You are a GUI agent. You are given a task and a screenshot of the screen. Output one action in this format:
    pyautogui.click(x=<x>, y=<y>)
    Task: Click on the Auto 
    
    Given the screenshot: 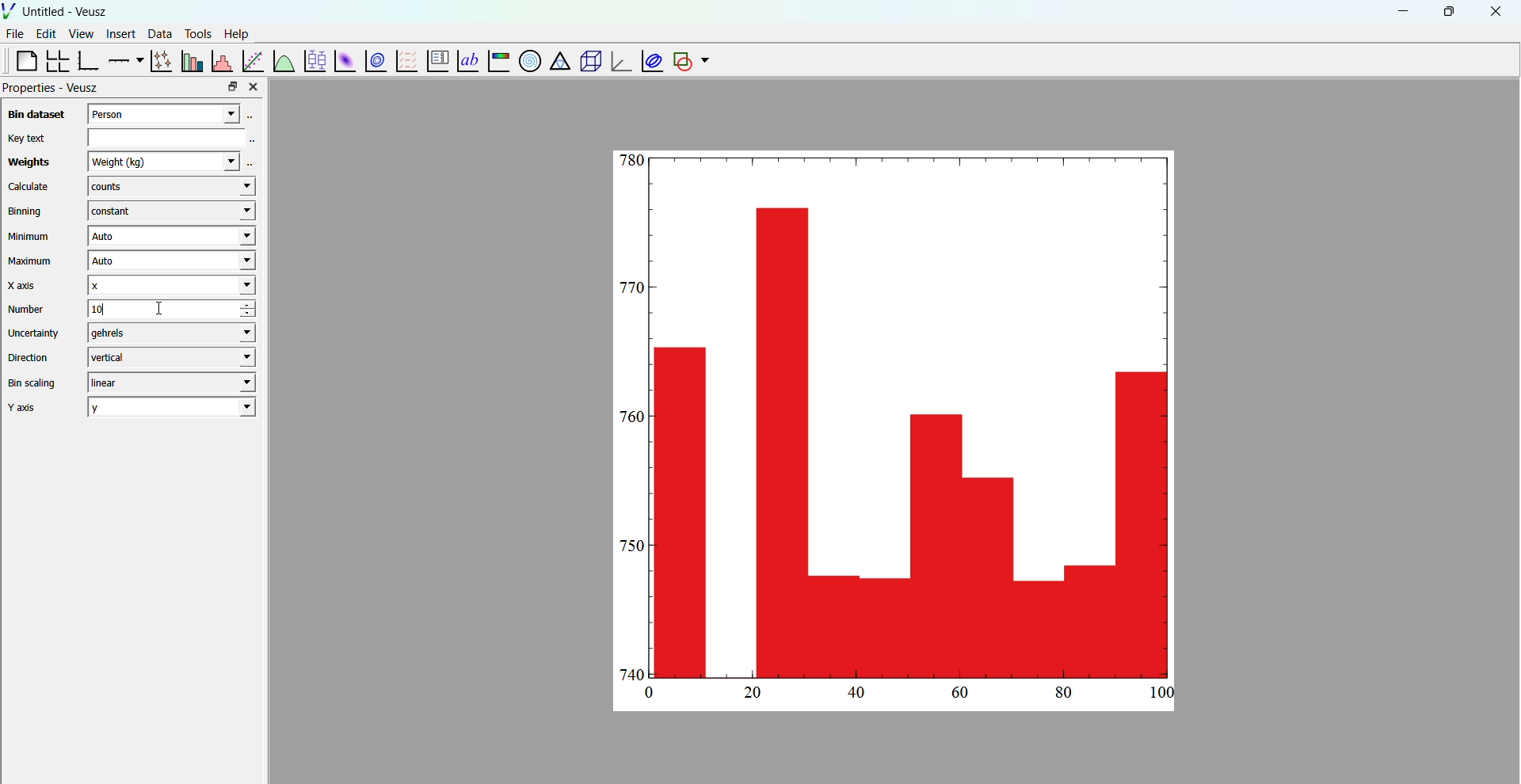 What is the action you would take?
    pyautogui.click(x=170, y=237)
    